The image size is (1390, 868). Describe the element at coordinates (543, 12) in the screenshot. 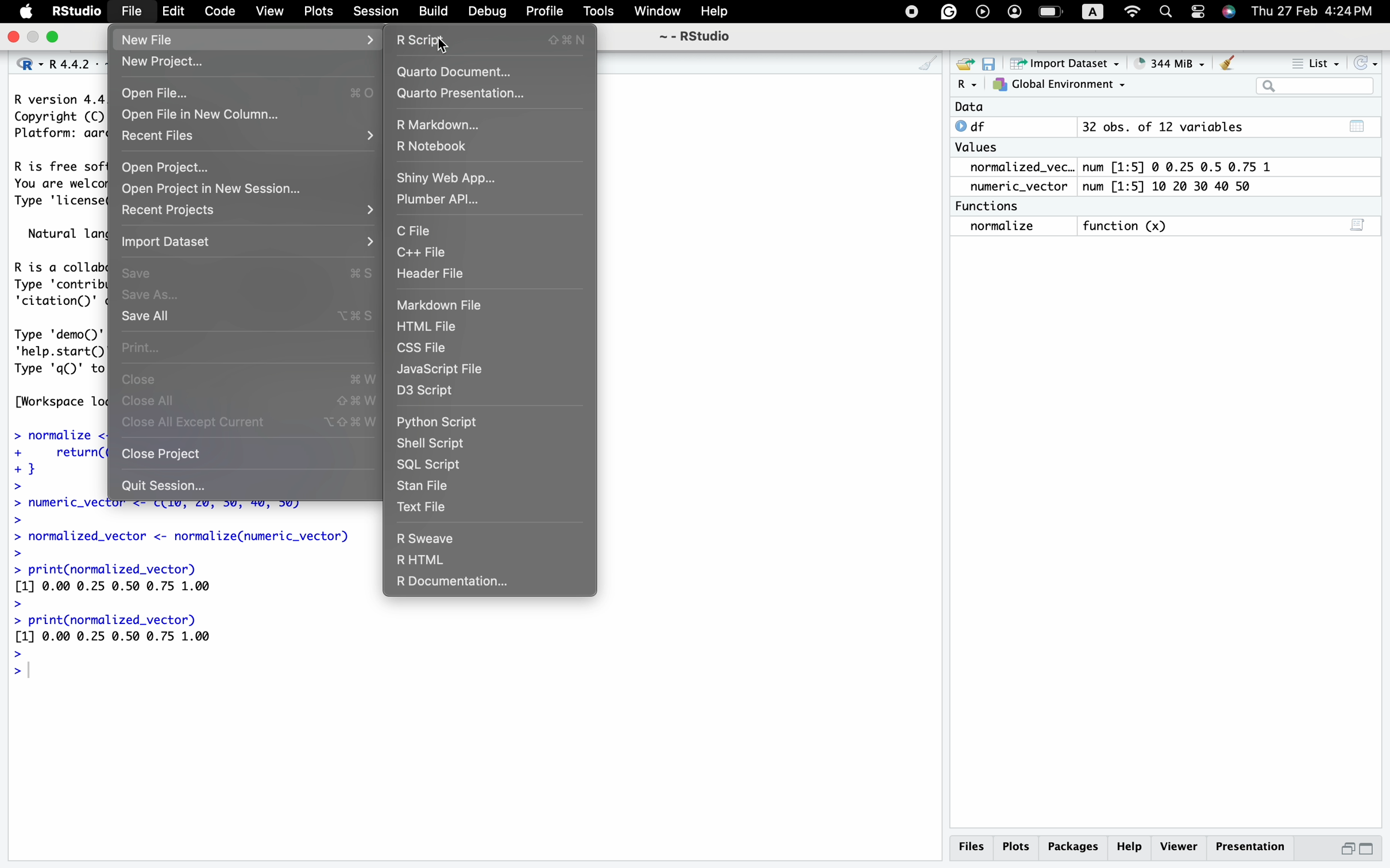

I see `Profile` at that location.